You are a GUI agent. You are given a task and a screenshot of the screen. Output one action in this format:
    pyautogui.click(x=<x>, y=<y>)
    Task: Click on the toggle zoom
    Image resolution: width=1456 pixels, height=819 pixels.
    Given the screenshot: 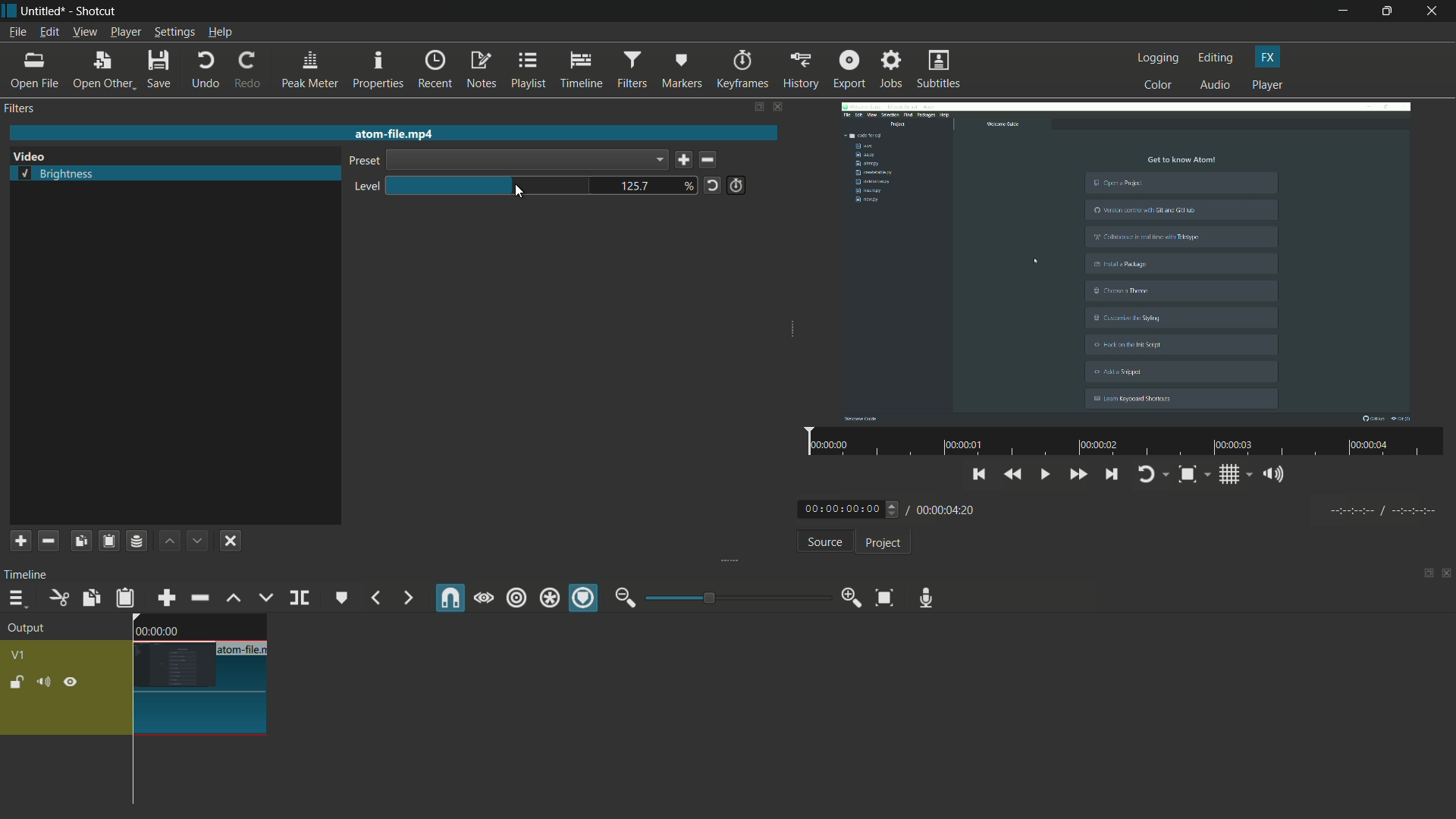 What is the action you would take?
    pyautogui.click(x=1193, y=475)
    